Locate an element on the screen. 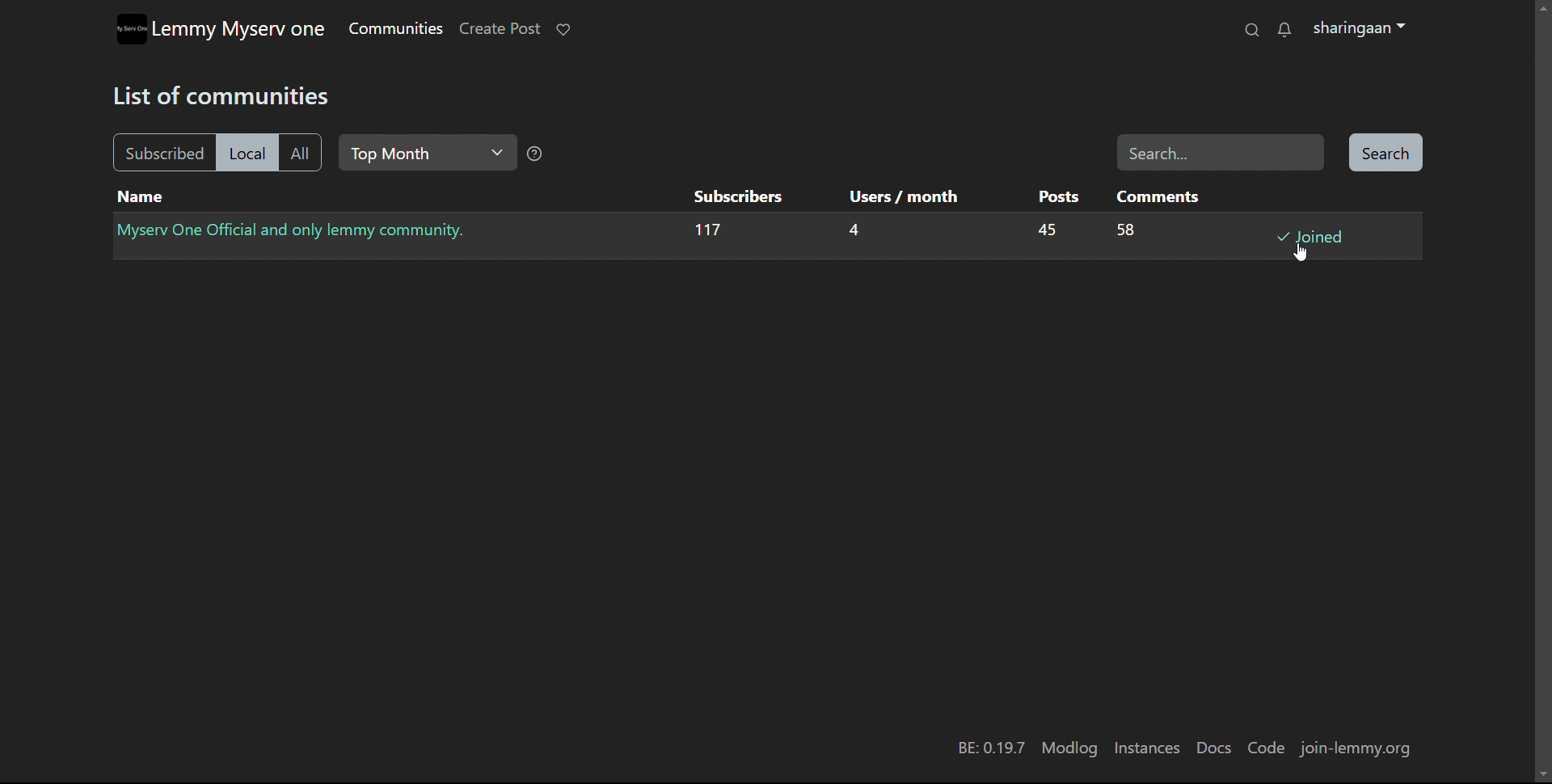 This screenshot has height=784, width=1552. instances is located at coordinates (1147, 748).